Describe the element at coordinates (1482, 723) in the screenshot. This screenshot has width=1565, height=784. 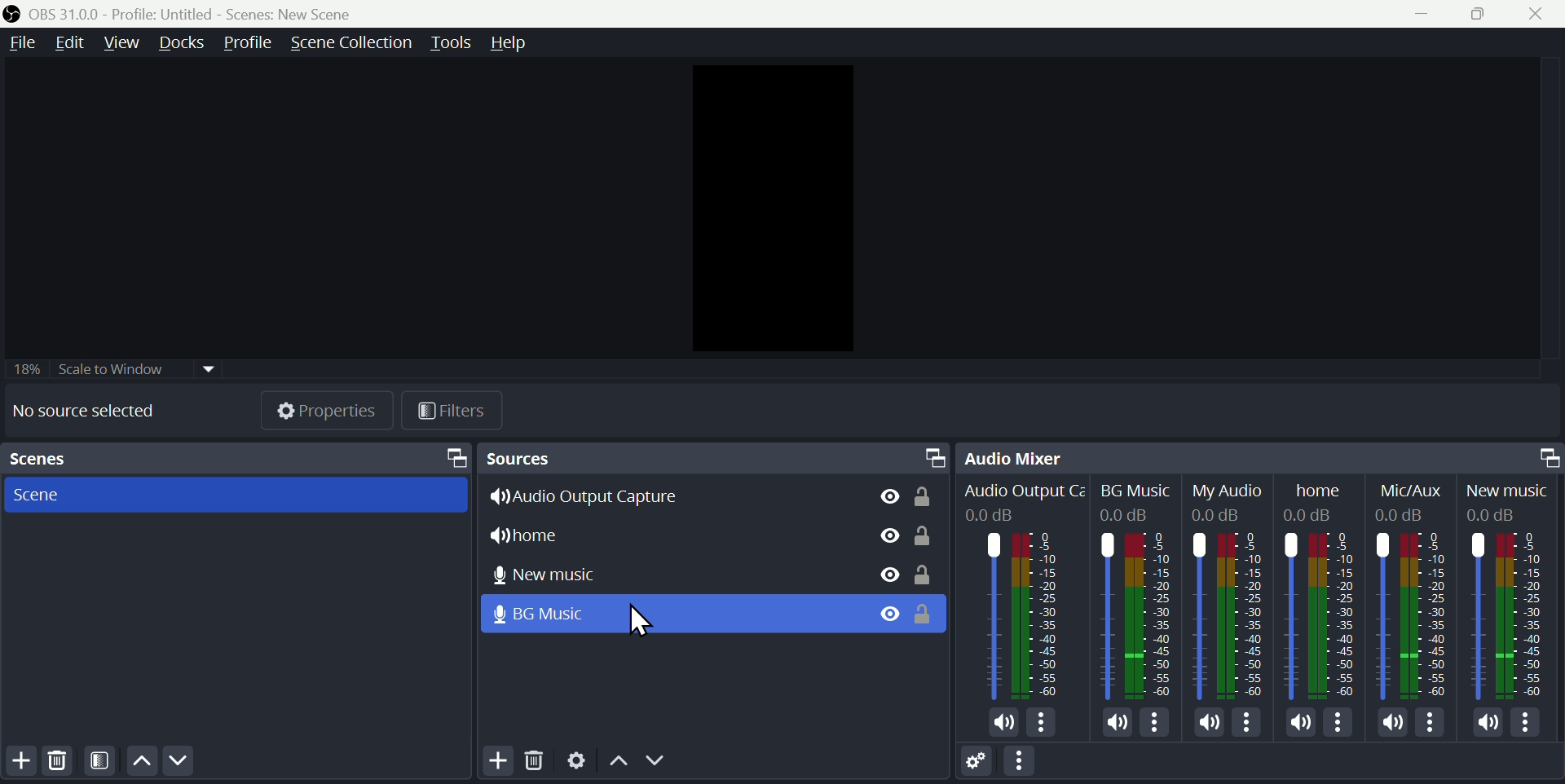
I see `Mute /Unmute` at that location.